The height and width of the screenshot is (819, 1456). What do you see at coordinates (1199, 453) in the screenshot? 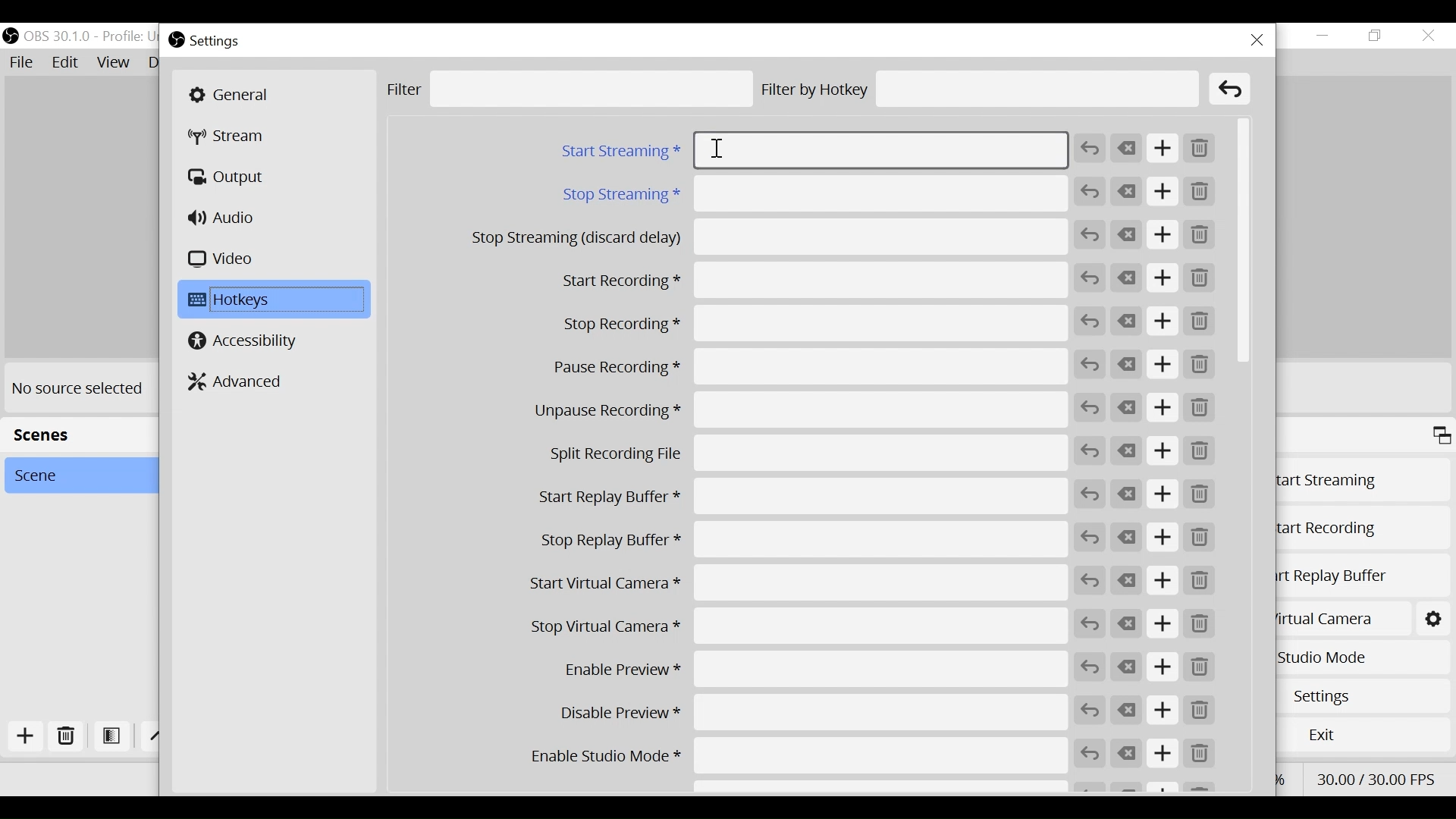
I see `Remove` at bounding box center [1199, 453].